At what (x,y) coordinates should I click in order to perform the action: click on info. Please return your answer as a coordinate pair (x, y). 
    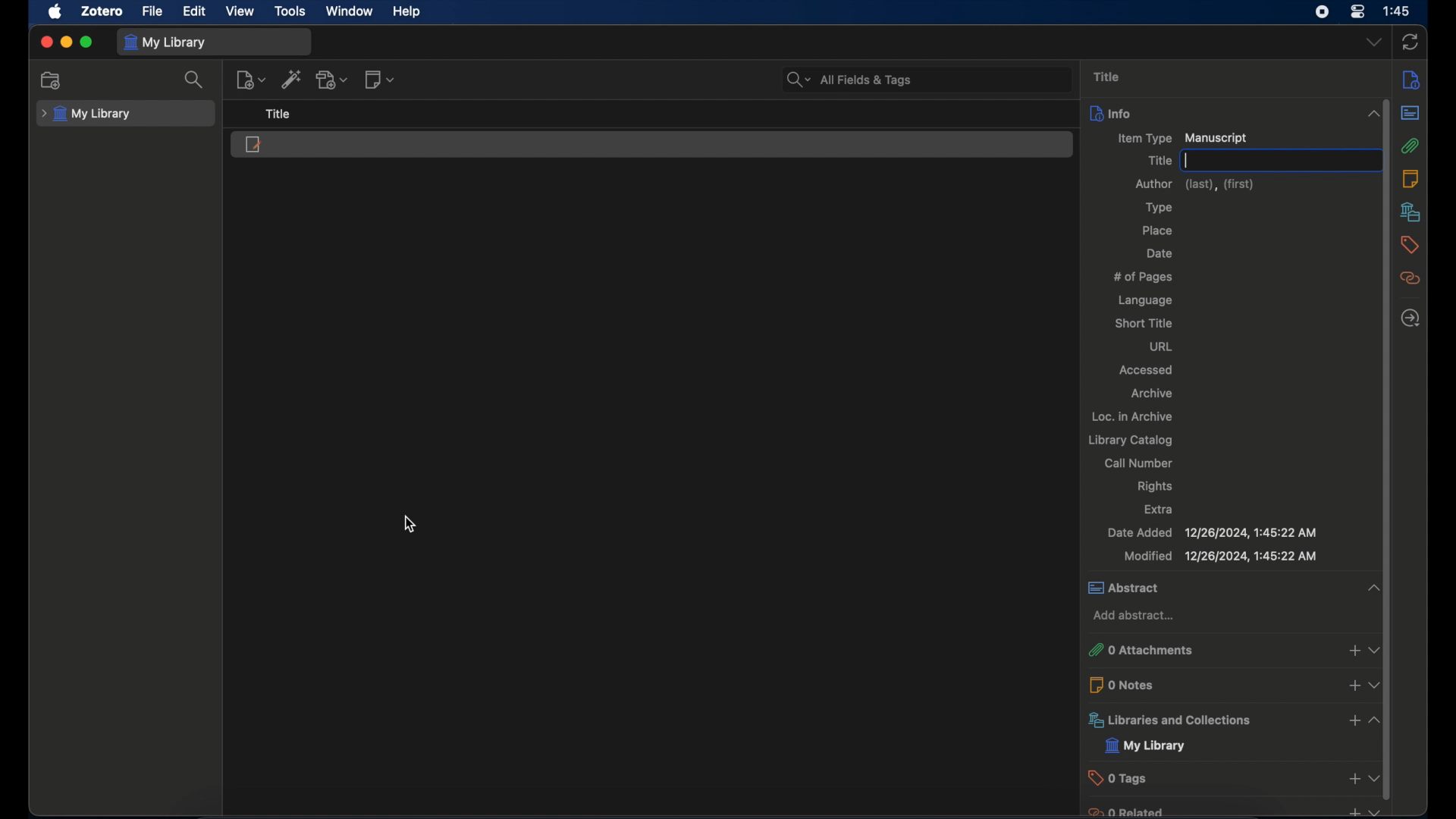
    Looking at the image, I should click on (1410, 80).